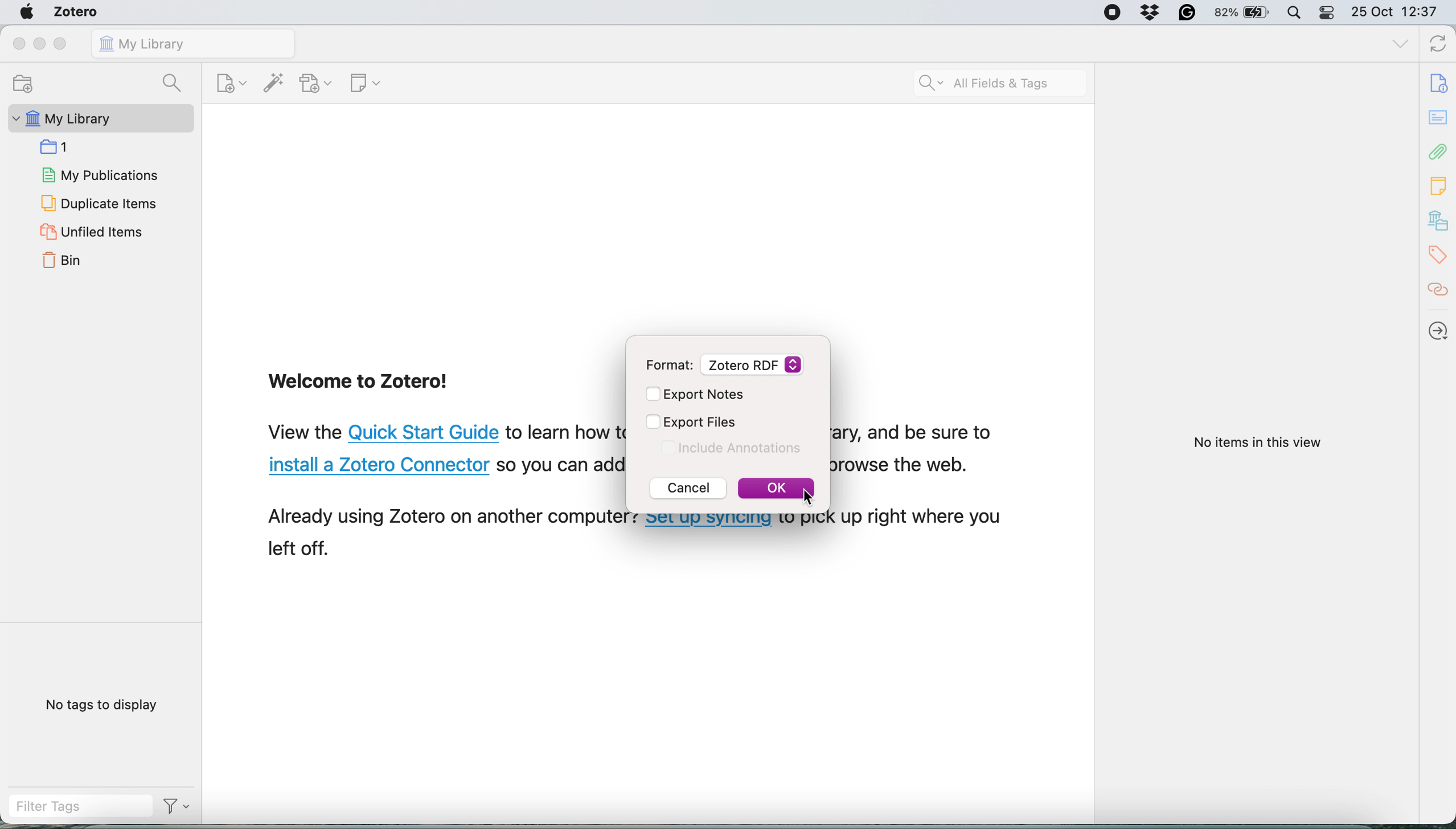 This screenshot has height=829, width=1456. What do you see at coordinates (275, 84) in the screenshot?
I see `add item by identifier` at bounding box center [275, 84].